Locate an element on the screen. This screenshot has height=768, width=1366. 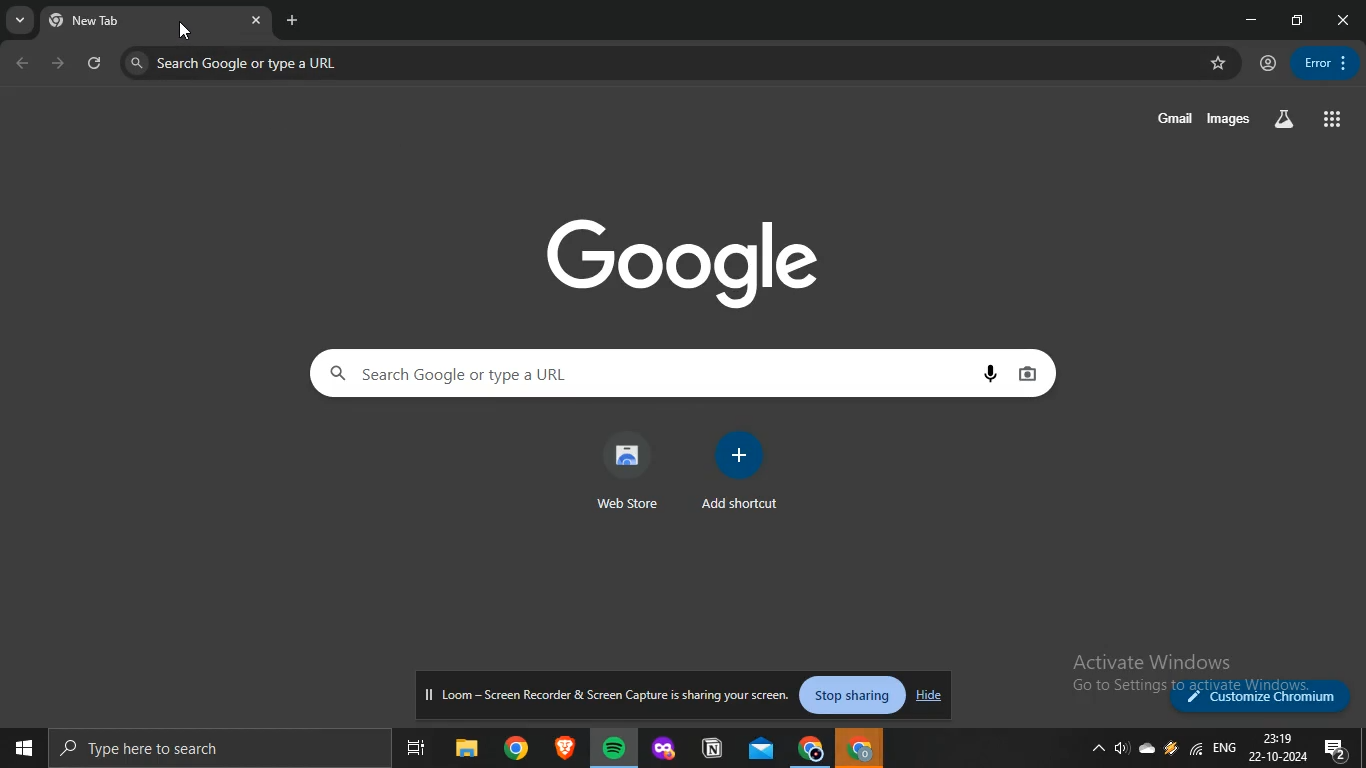
 Hide is located at coordinates (926, 697).